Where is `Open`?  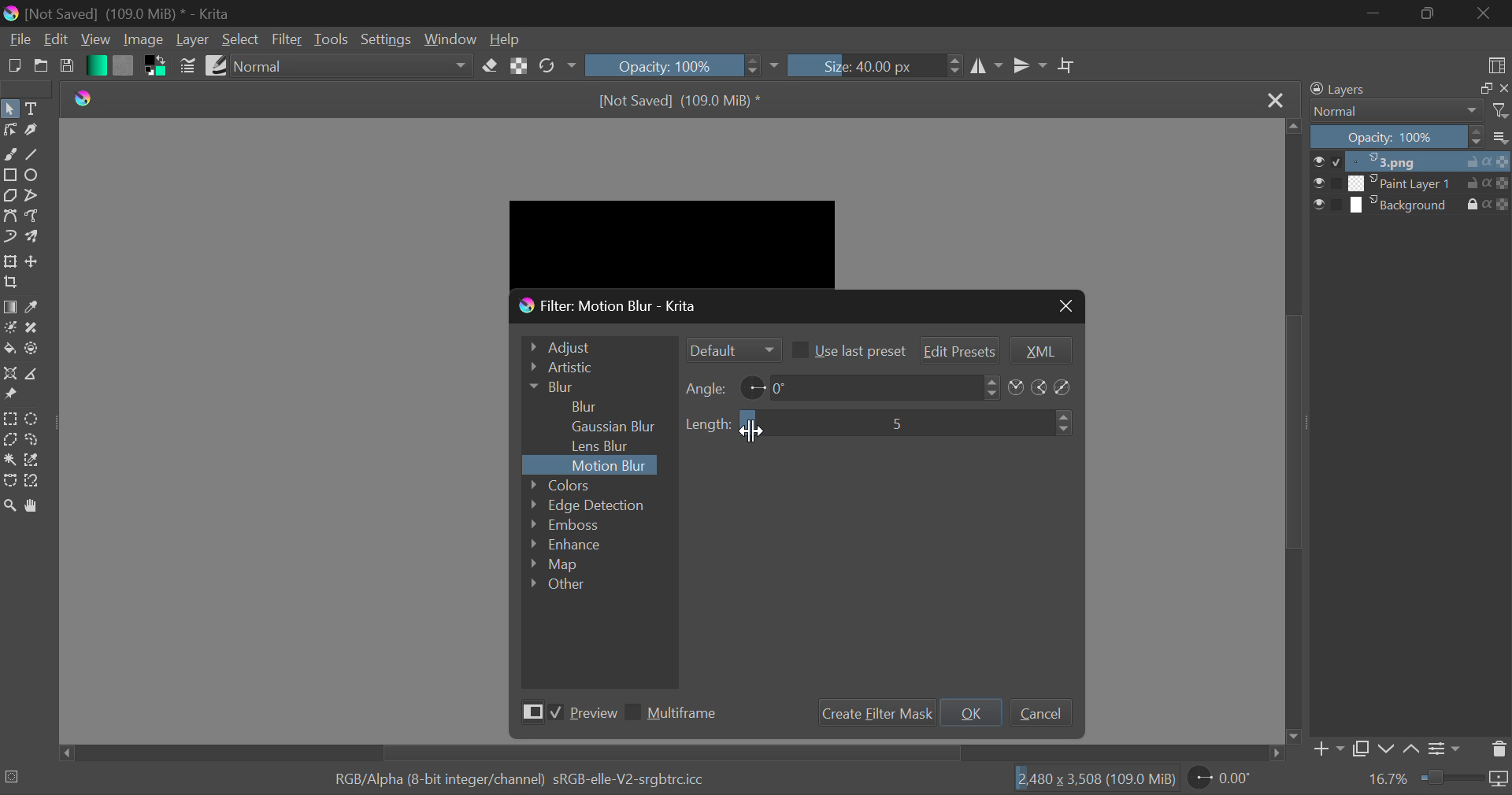
Open is located at coordinates (39, 68).